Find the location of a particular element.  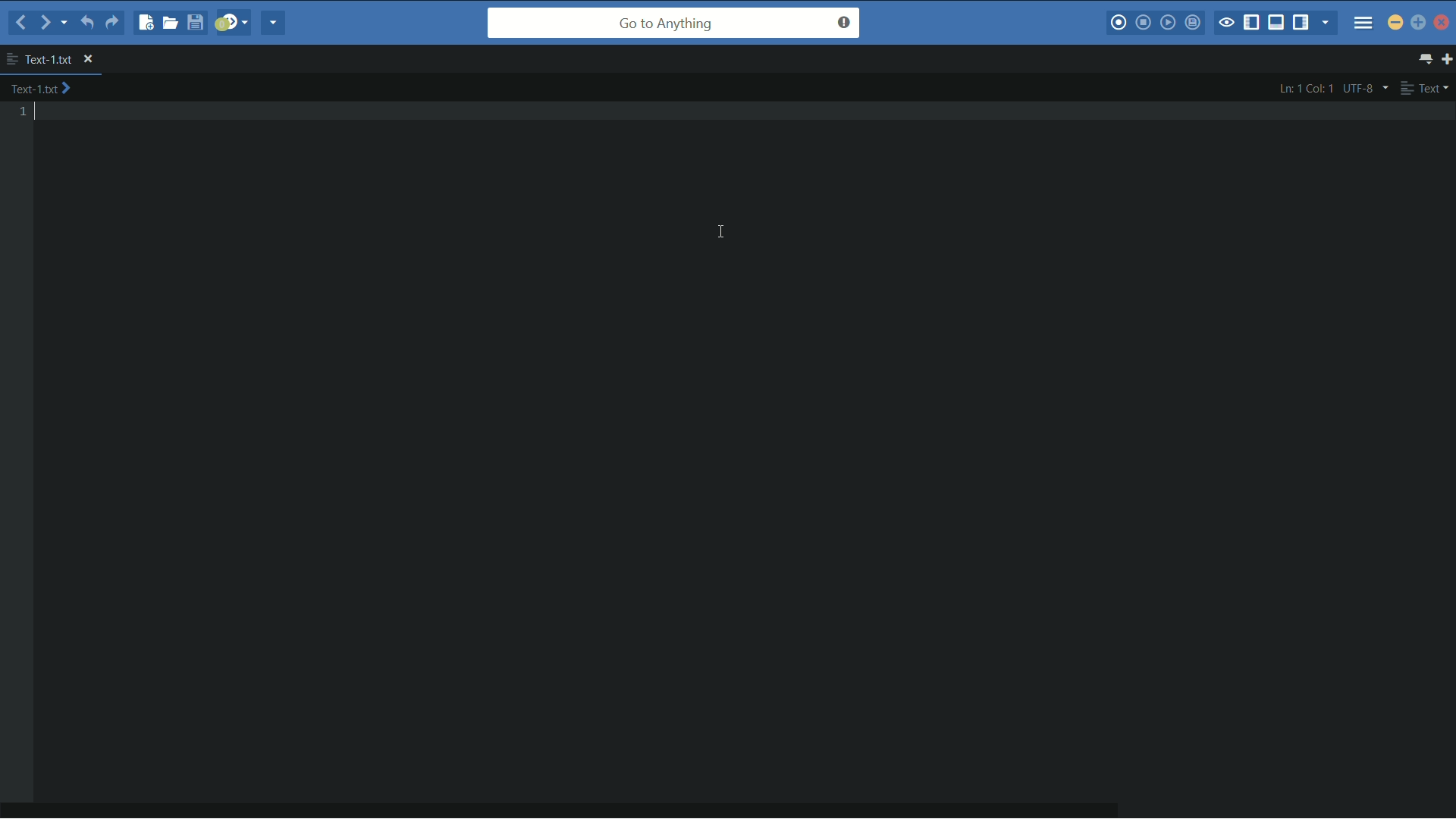

go to anything  is located at coordinates (674, 23).